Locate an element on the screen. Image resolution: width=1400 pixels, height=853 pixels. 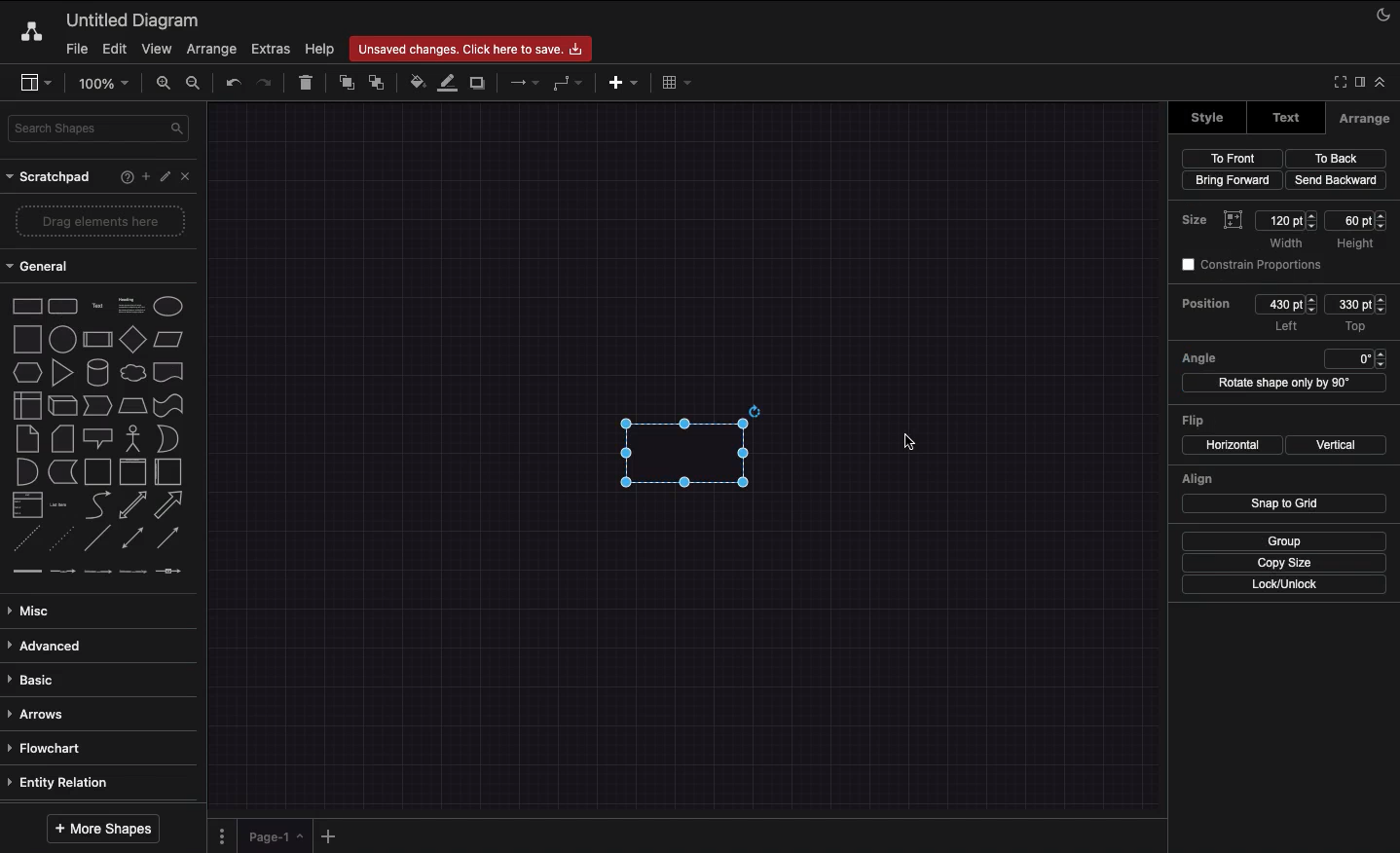
Group is located at coordinates (1285, 540).